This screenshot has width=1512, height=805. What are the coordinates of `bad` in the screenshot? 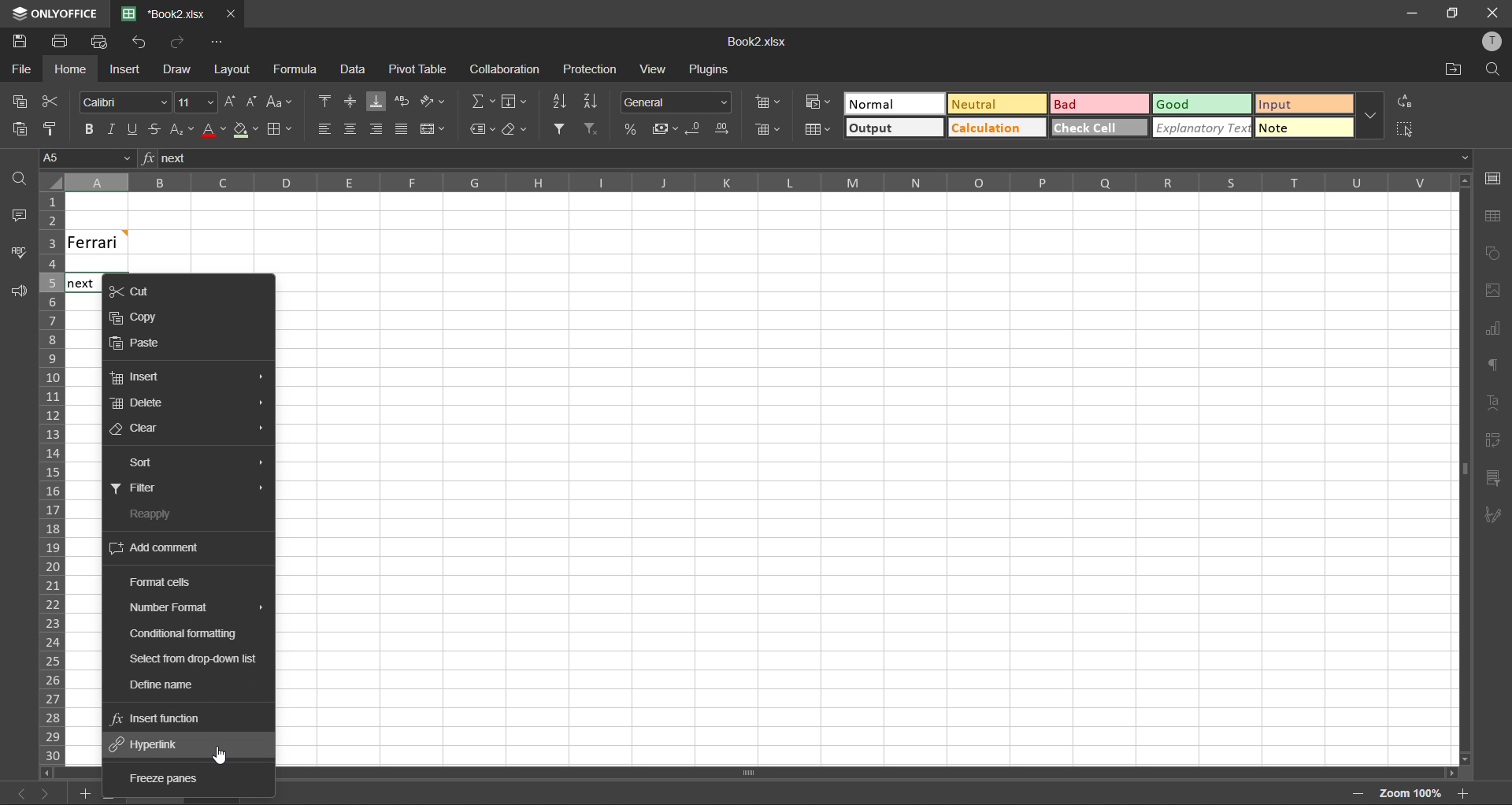 It's located at (1086, 105).